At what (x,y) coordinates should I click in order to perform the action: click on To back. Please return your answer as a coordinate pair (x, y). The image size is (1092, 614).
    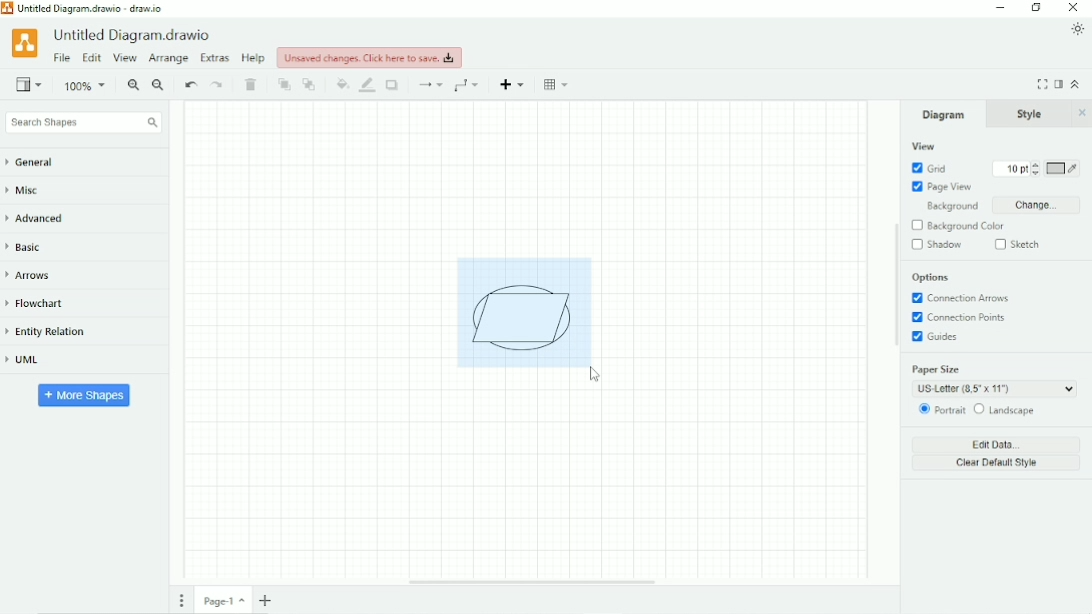
    Looking at the image, I should click on (310, 84).